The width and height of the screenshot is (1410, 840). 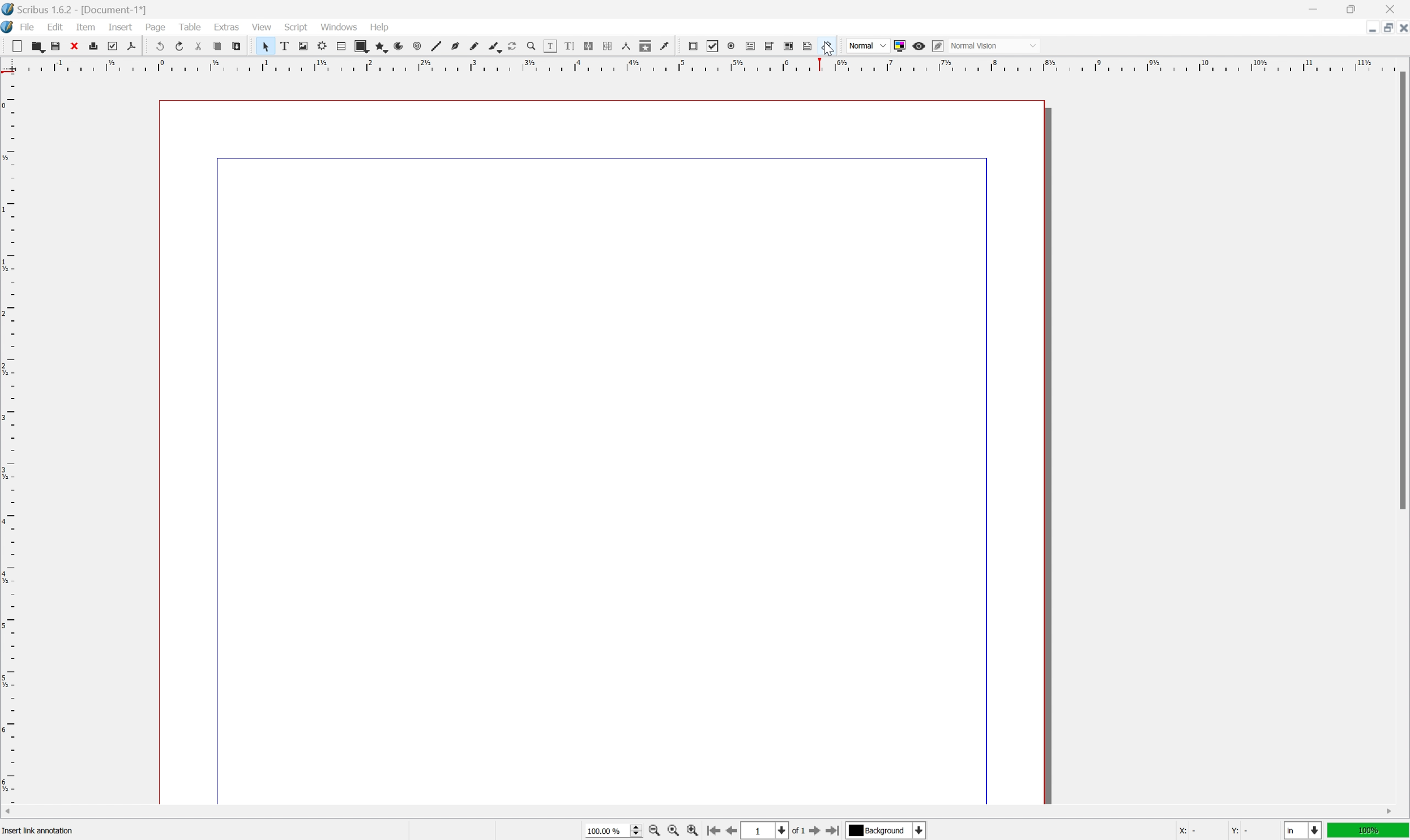 I want to click on page, so click(x=155, y=27).